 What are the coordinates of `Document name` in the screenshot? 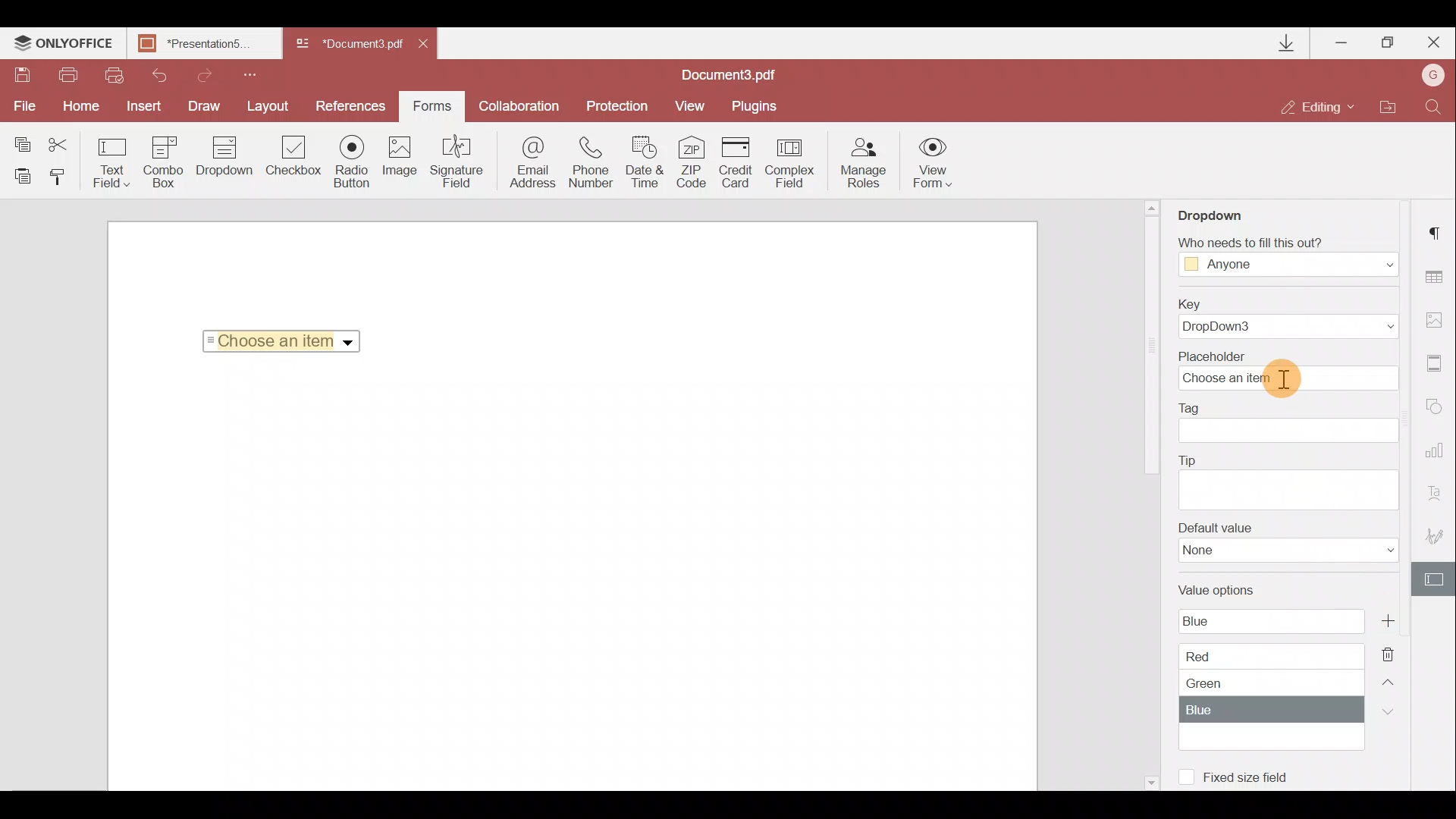 It's located at (347, 45).